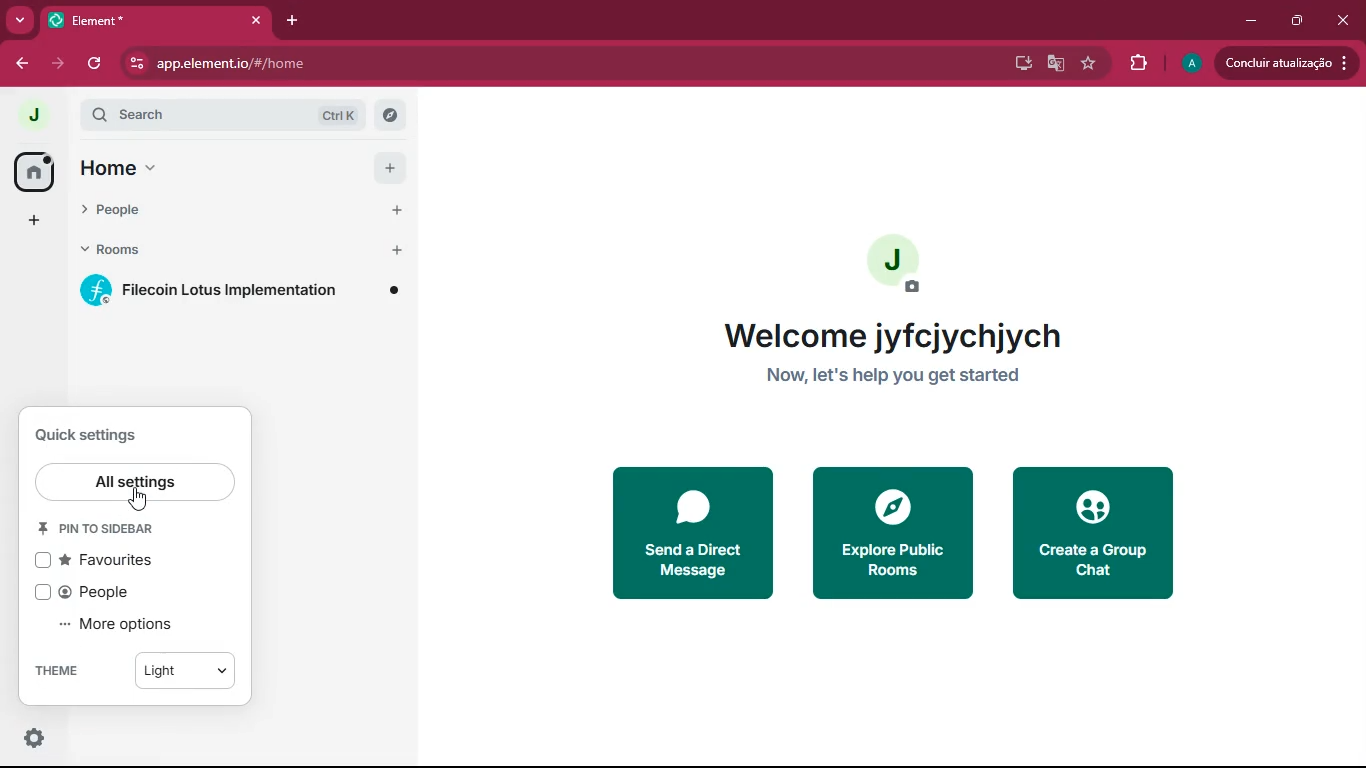 The image size is (1366, 768). I want to click on now, let's help you get started, so click(894, 376).